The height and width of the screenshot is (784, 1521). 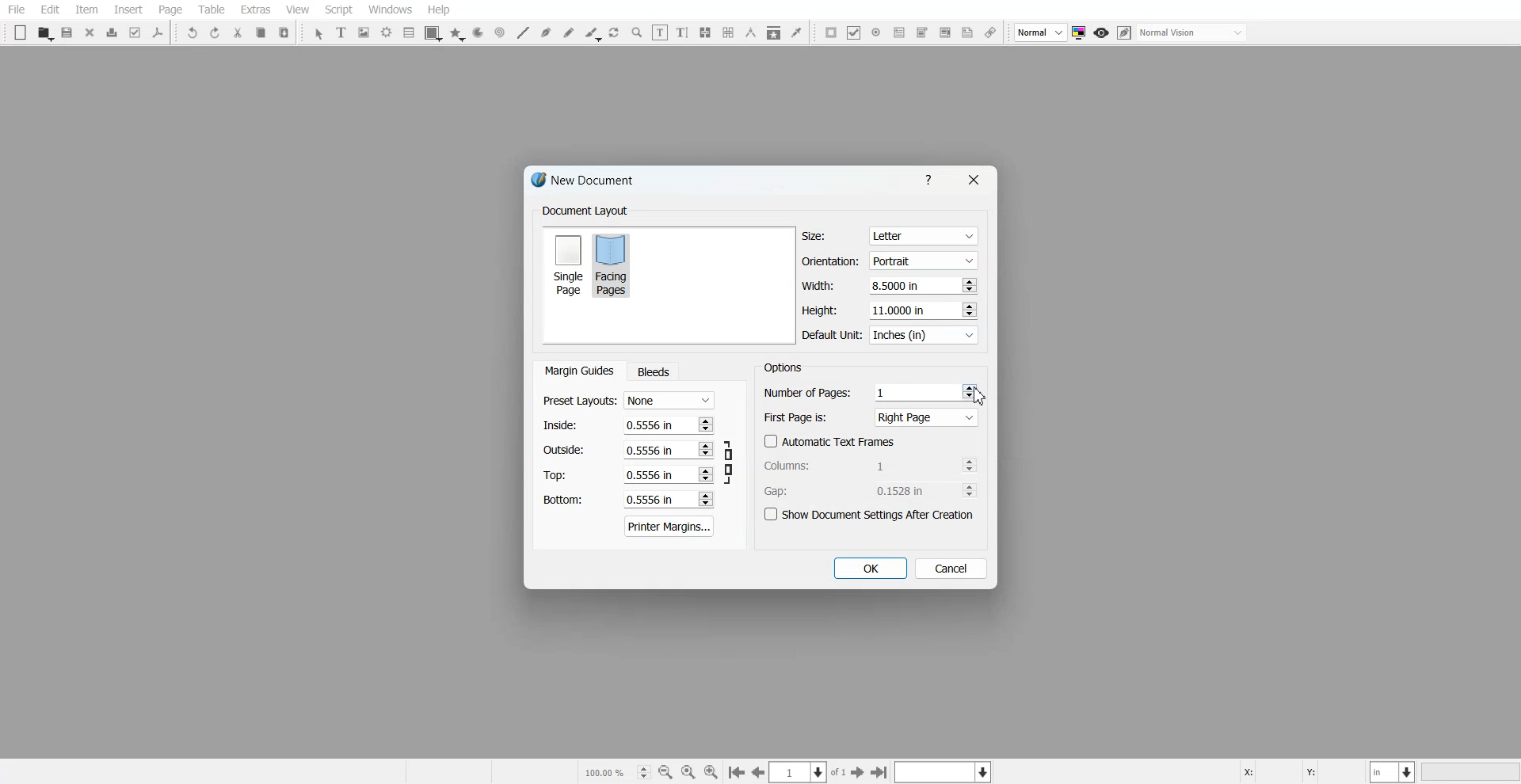 I want to click on Increase and decrease No. , so click(x=706, y=450).